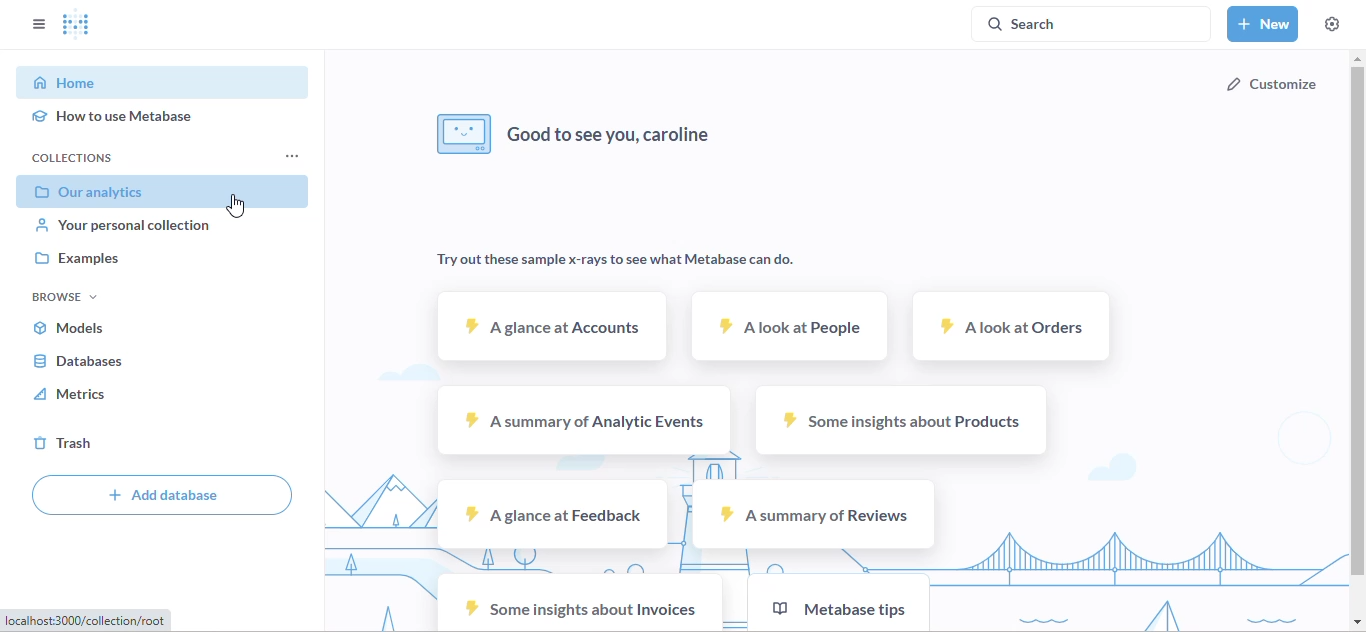  What do you see at coordinates (79, 361) in the screenshot?
I see `databases` at bounding box center [79, 361].